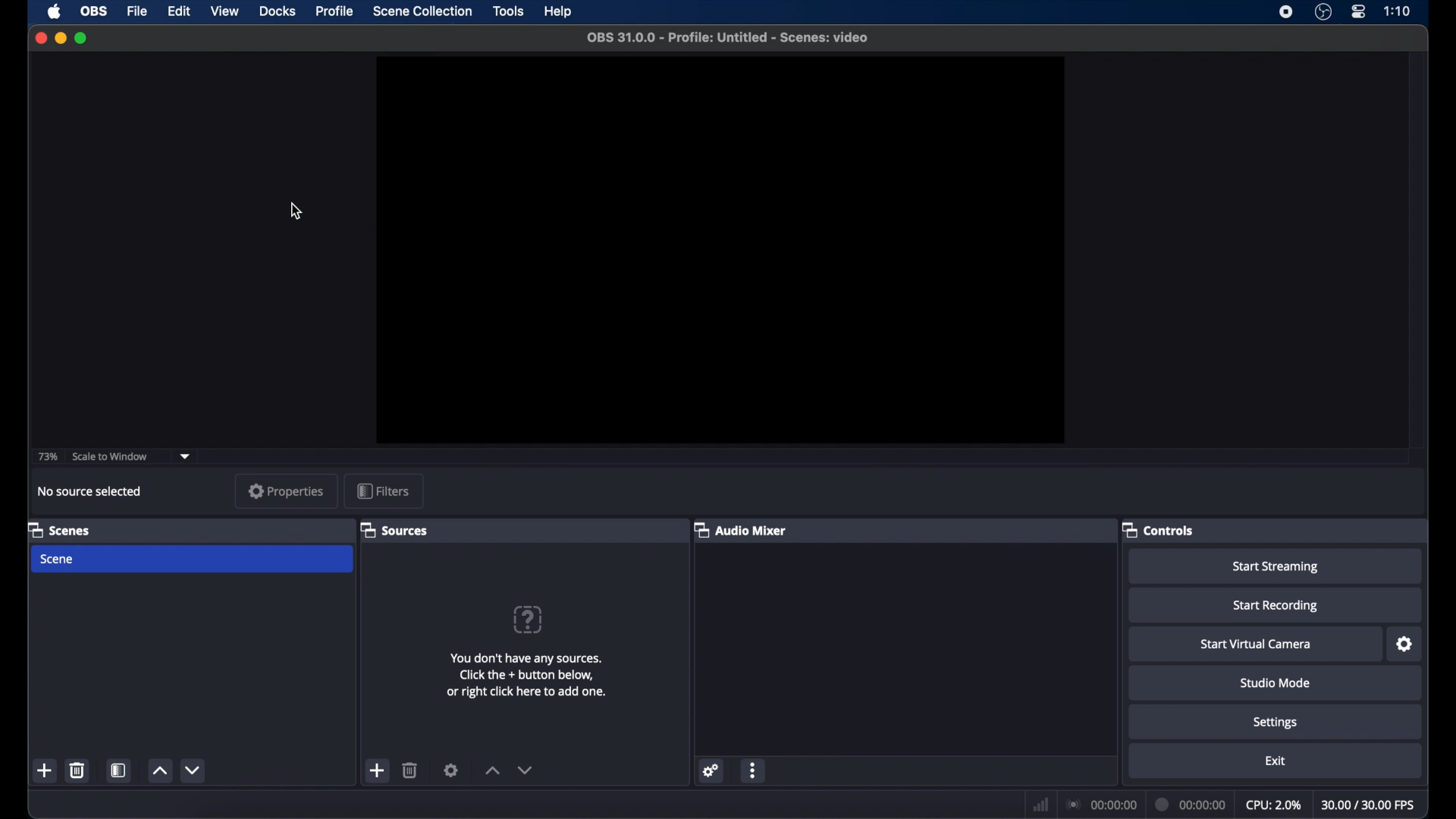  I want to click on tools, so click(509, 11).